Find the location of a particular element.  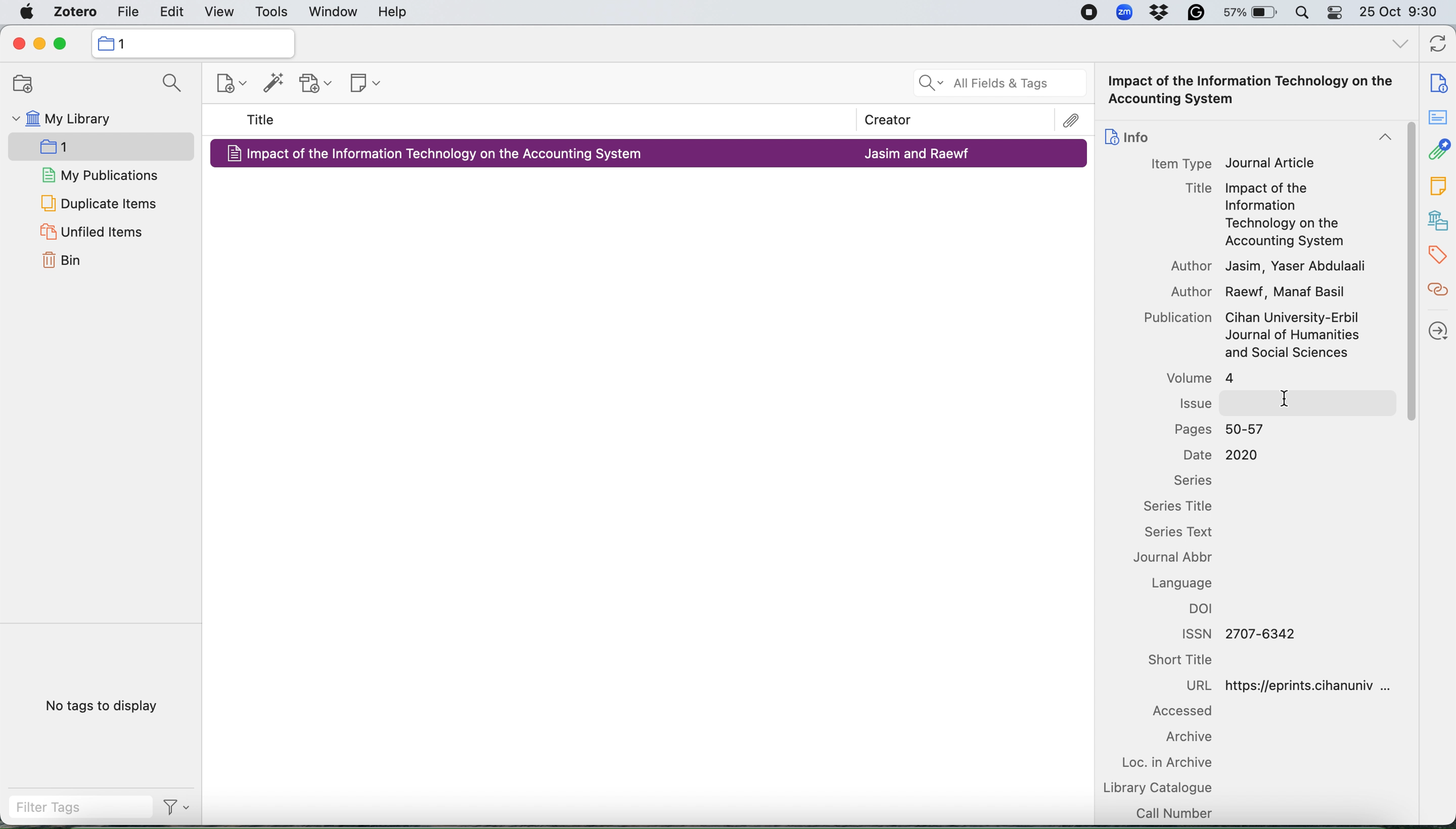

date 2020 is located at coordinates (1221, 455).